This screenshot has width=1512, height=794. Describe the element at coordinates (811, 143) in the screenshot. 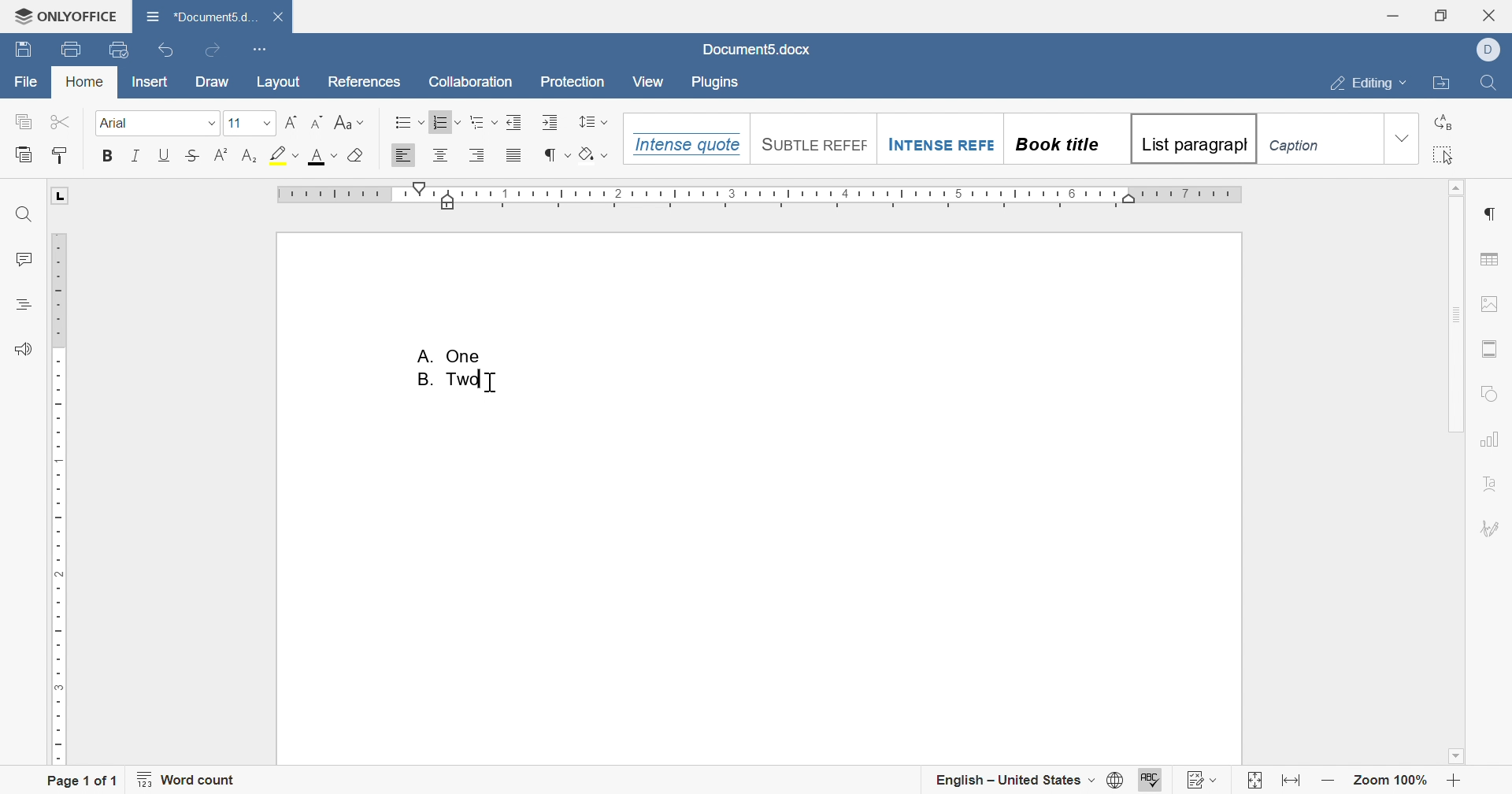

I see `Suntile reefef` at that location.